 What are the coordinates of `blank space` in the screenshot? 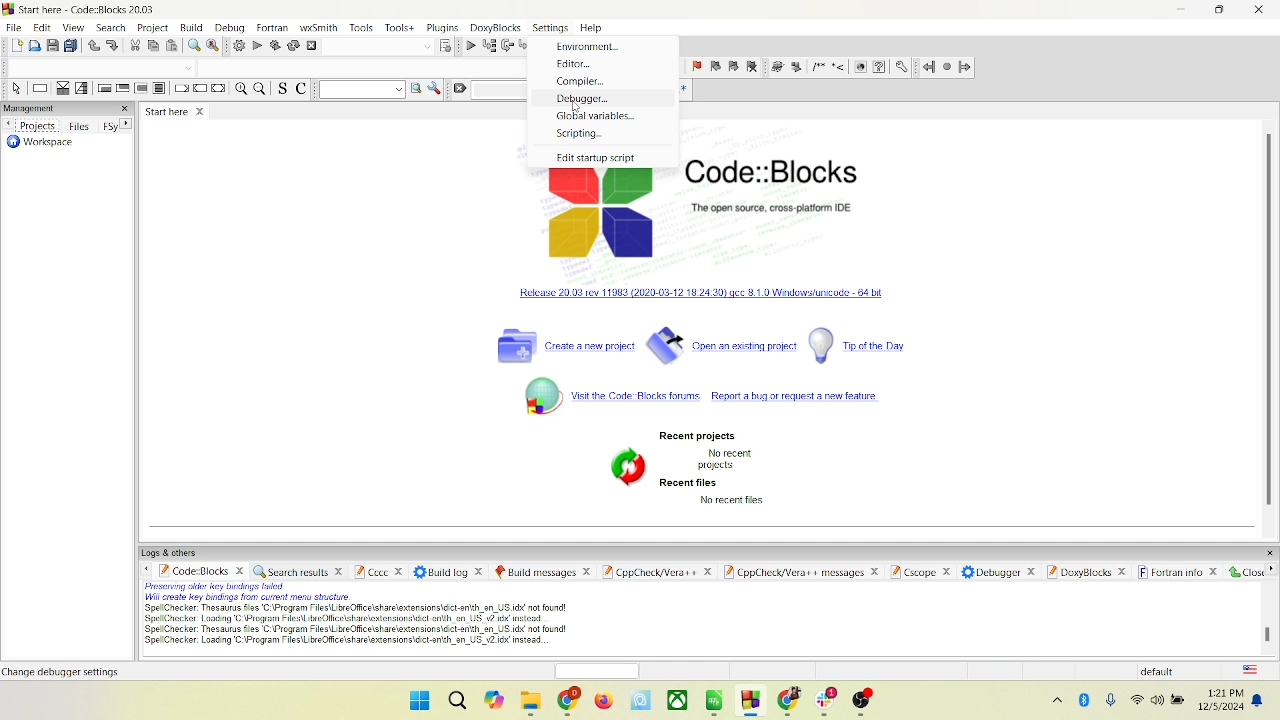 It's located at (367, 68).